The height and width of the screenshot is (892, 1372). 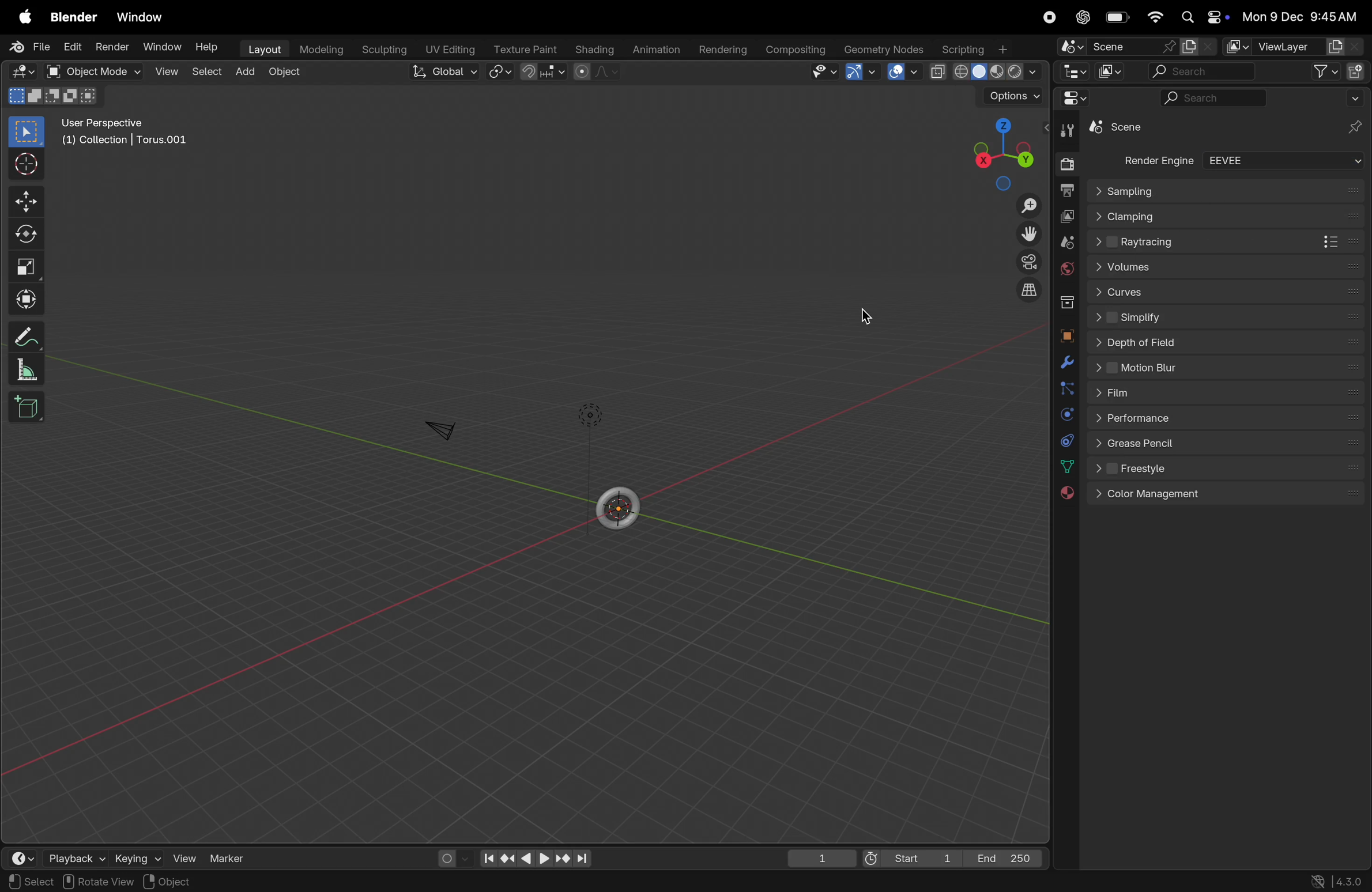 I want to click on help, so click(x=208, y=48).